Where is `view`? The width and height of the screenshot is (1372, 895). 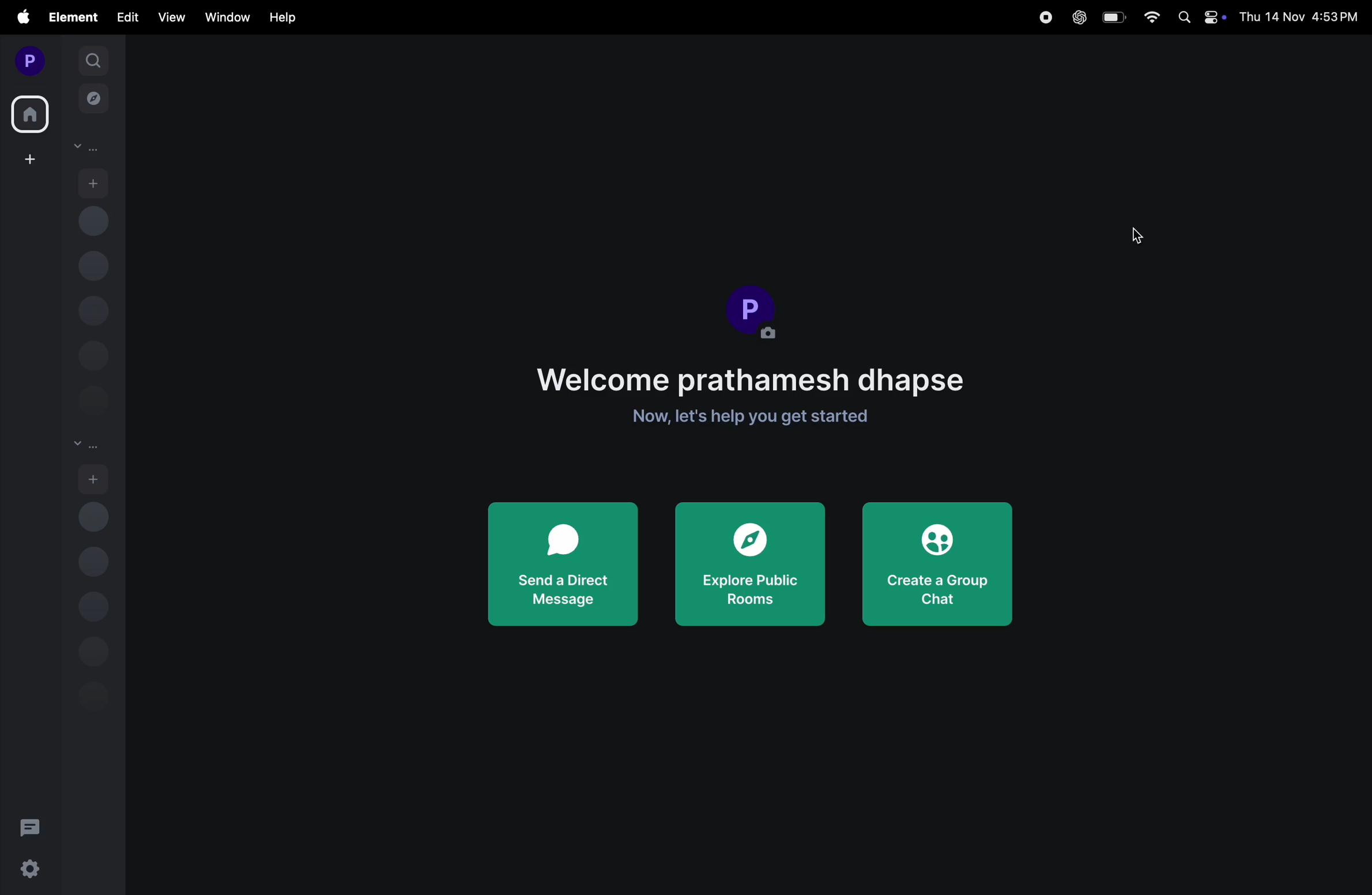
view is located at coordinates (169, 18).